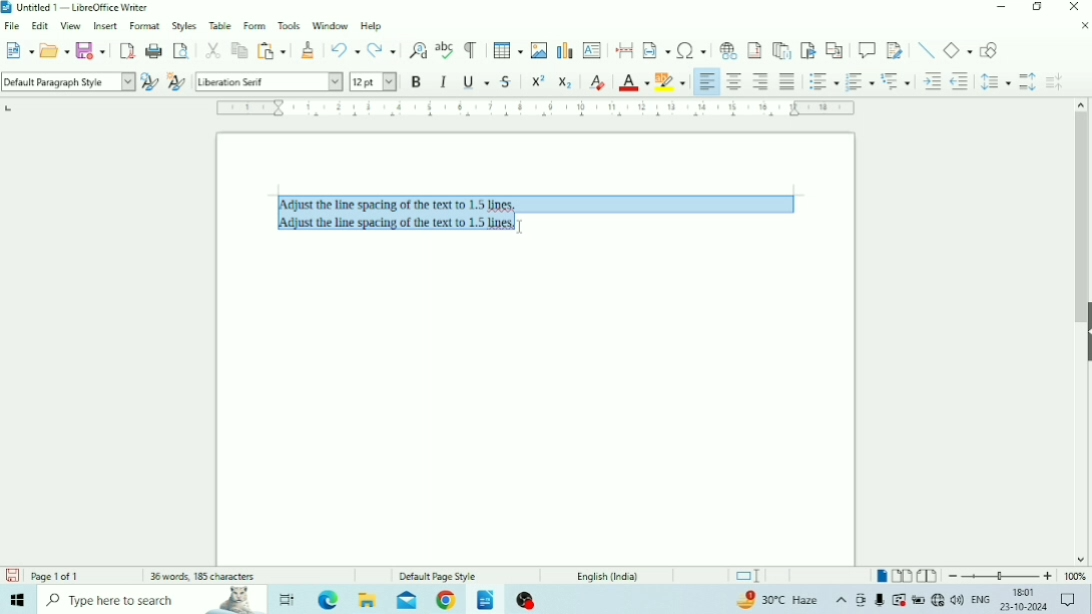 This screenshot has height=614, width=1092. I want to click on Close Document, so click(1083, 26).